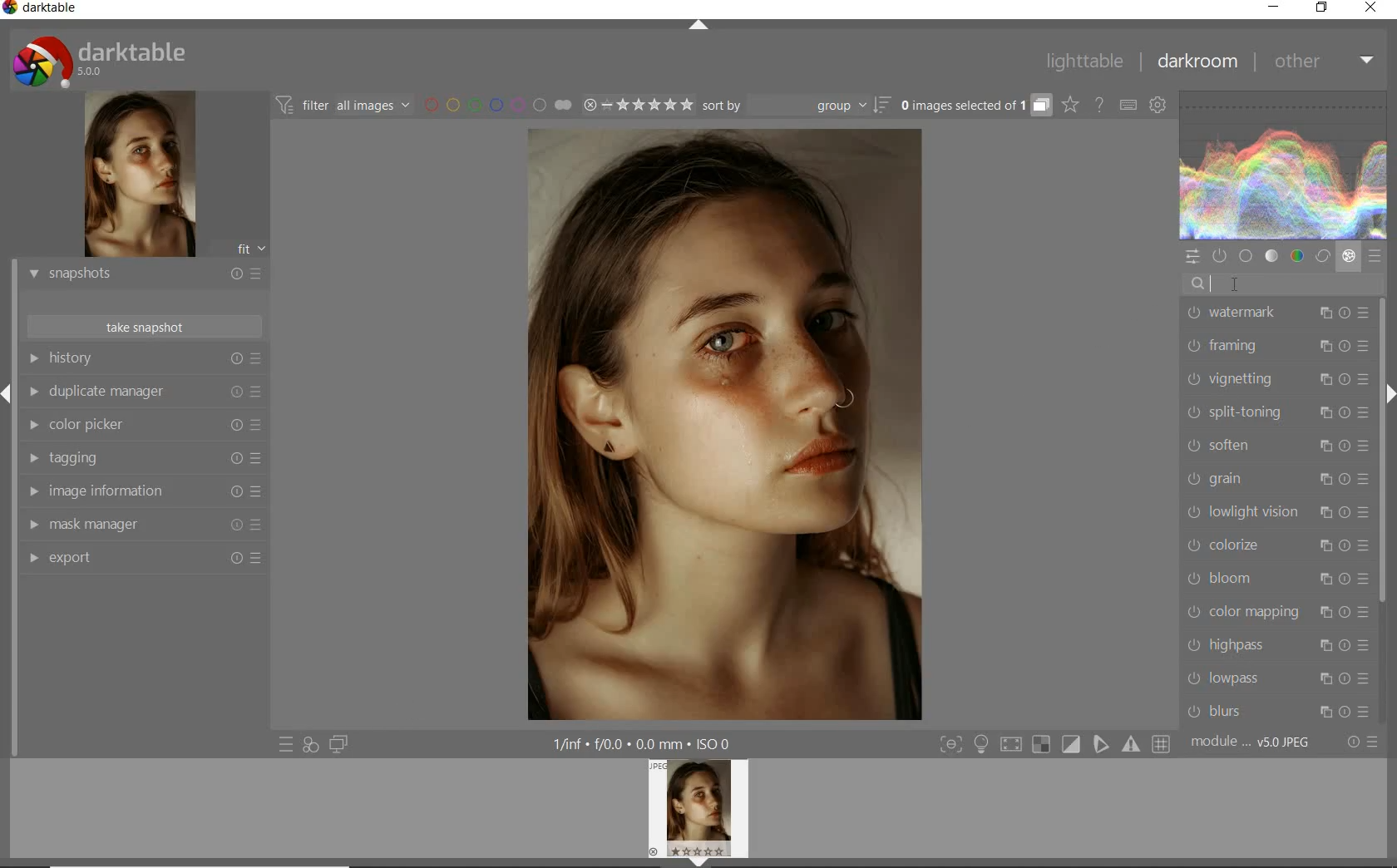  What do you see at coordinates (144, 560) in the screenshot?
I see `export` at bounding box center [144, 560].